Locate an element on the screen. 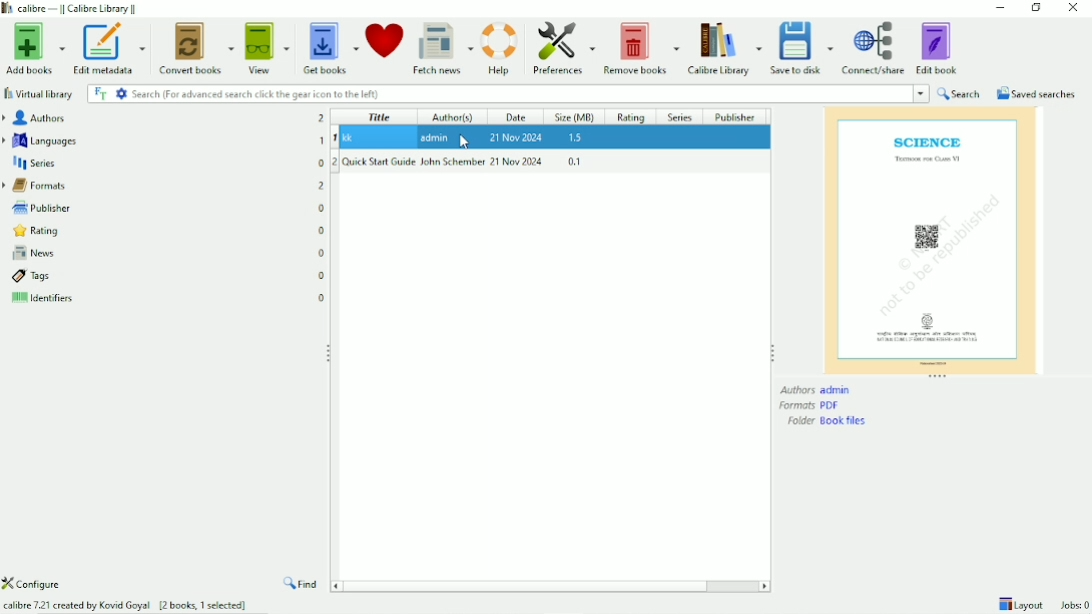 Image resolution: width=1092 pixels, height=614 pixels. Layout is located at coordinates (1020, 604).